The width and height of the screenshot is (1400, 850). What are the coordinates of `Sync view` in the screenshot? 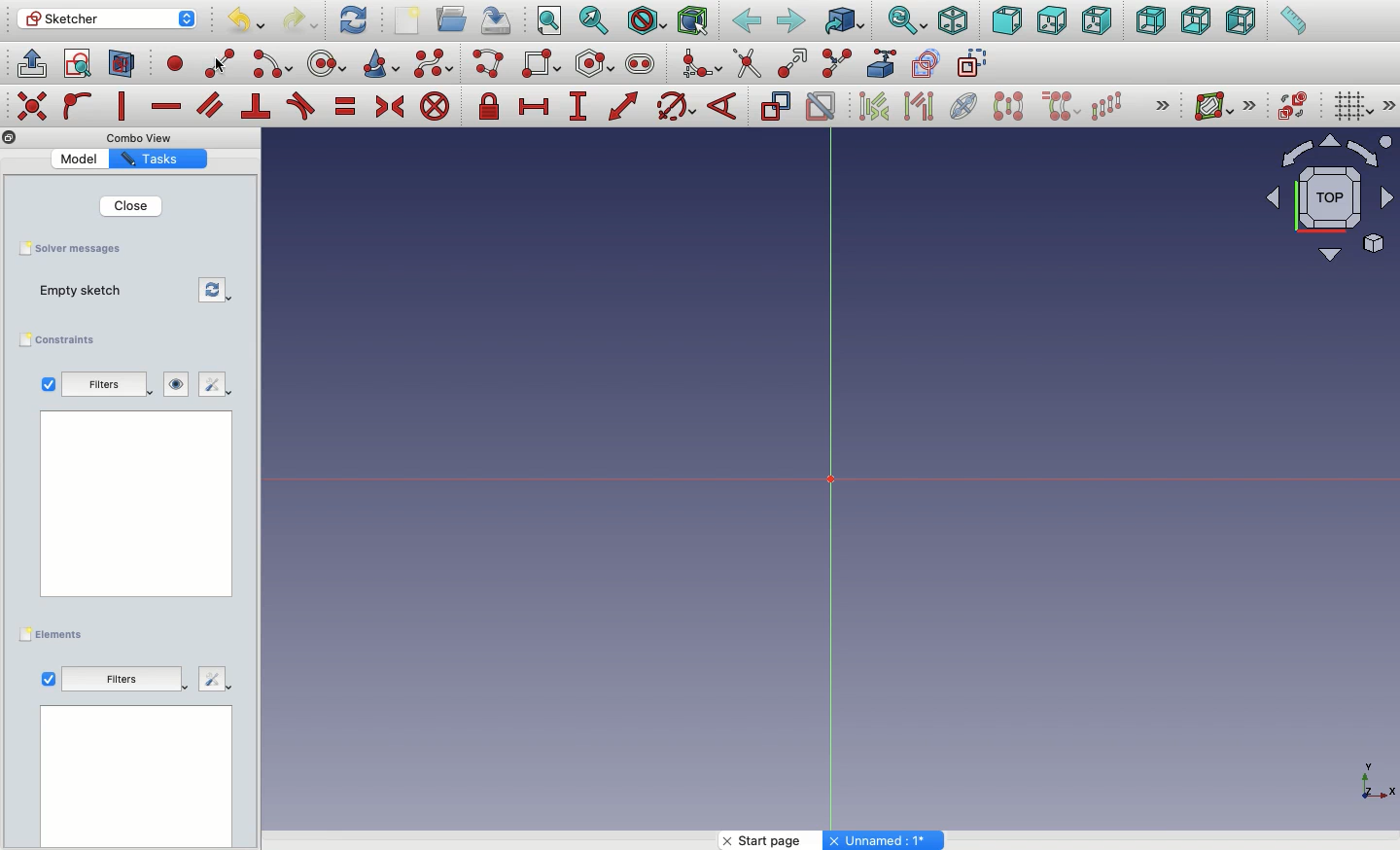 It's located at (907, 20).